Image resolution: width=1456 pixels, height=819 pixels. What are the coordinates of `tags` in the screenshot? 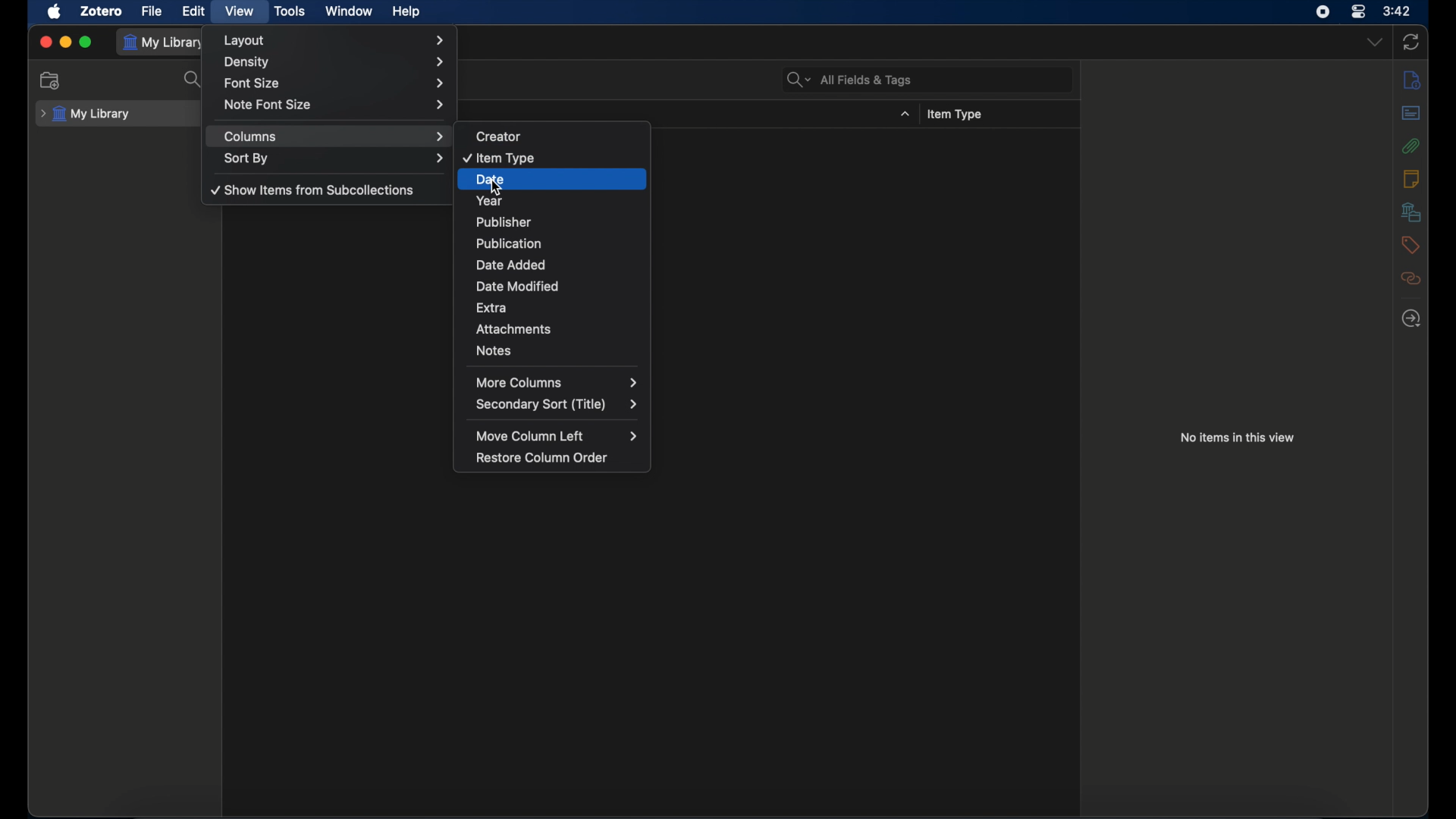 It's located at (1411, 244).